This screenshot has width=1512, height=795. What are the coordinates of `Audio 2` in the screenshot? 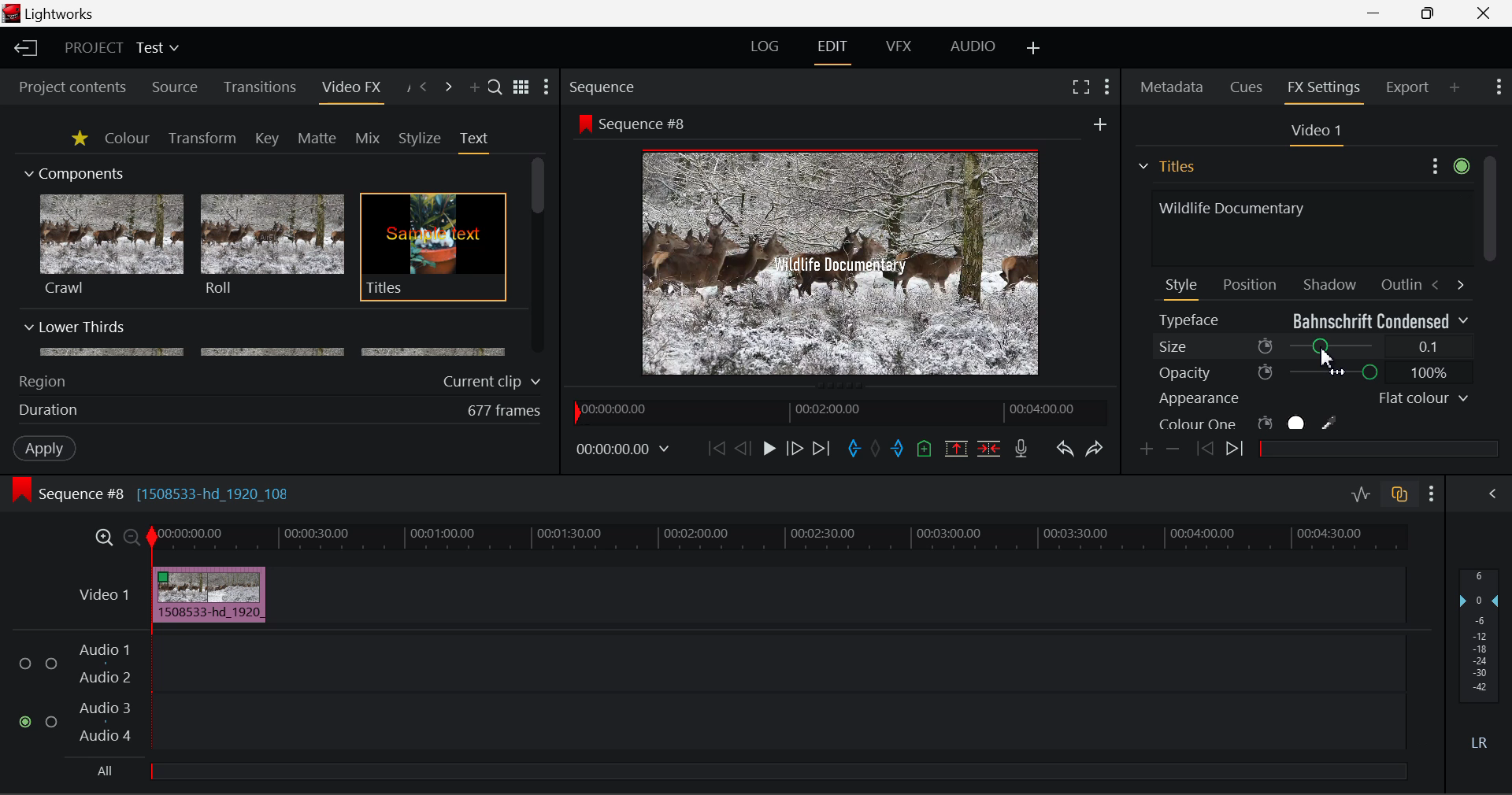 It's located at (106, 678).